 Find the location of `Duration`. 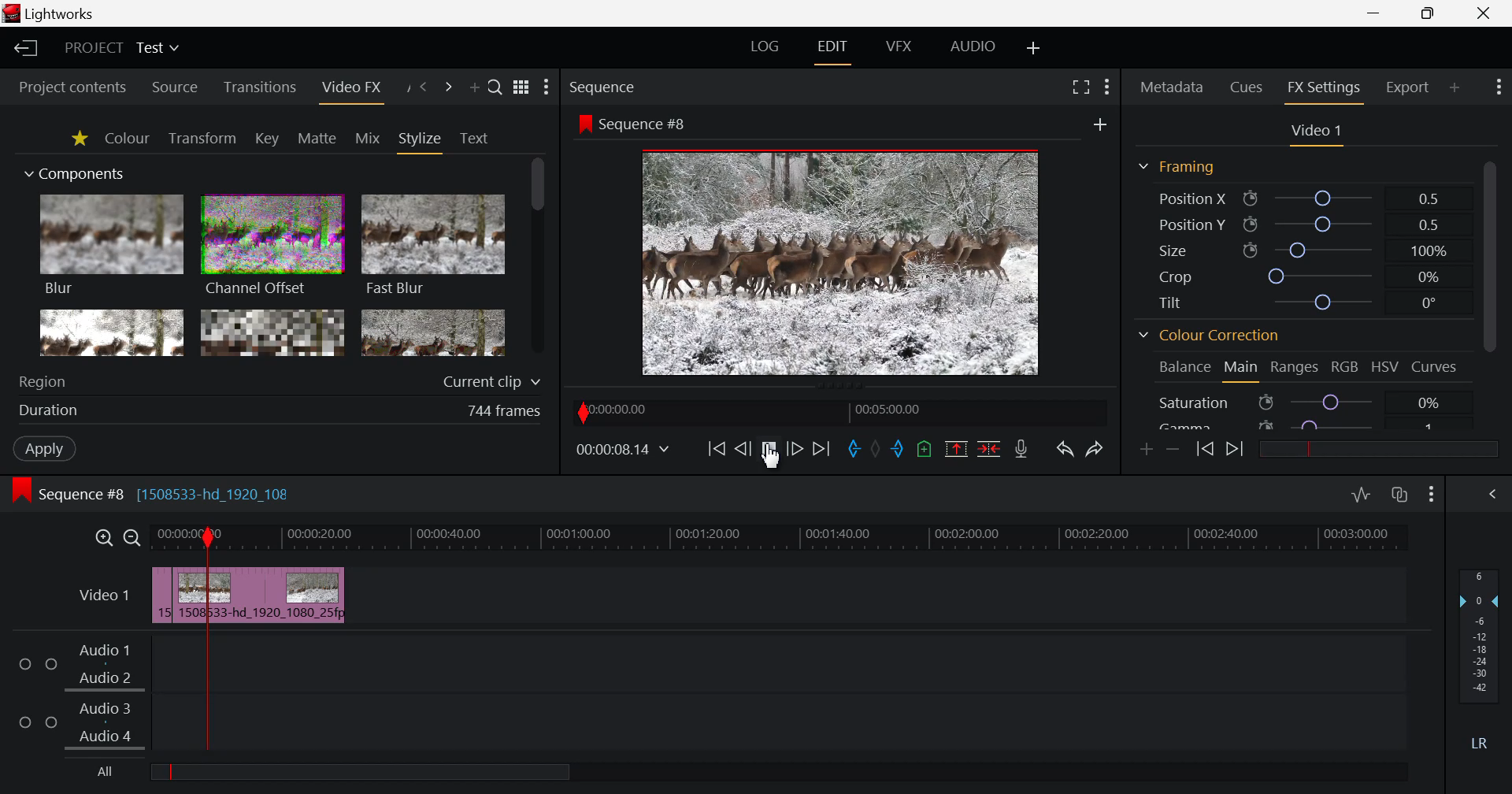

Duration is located at coordinates (282, 410).